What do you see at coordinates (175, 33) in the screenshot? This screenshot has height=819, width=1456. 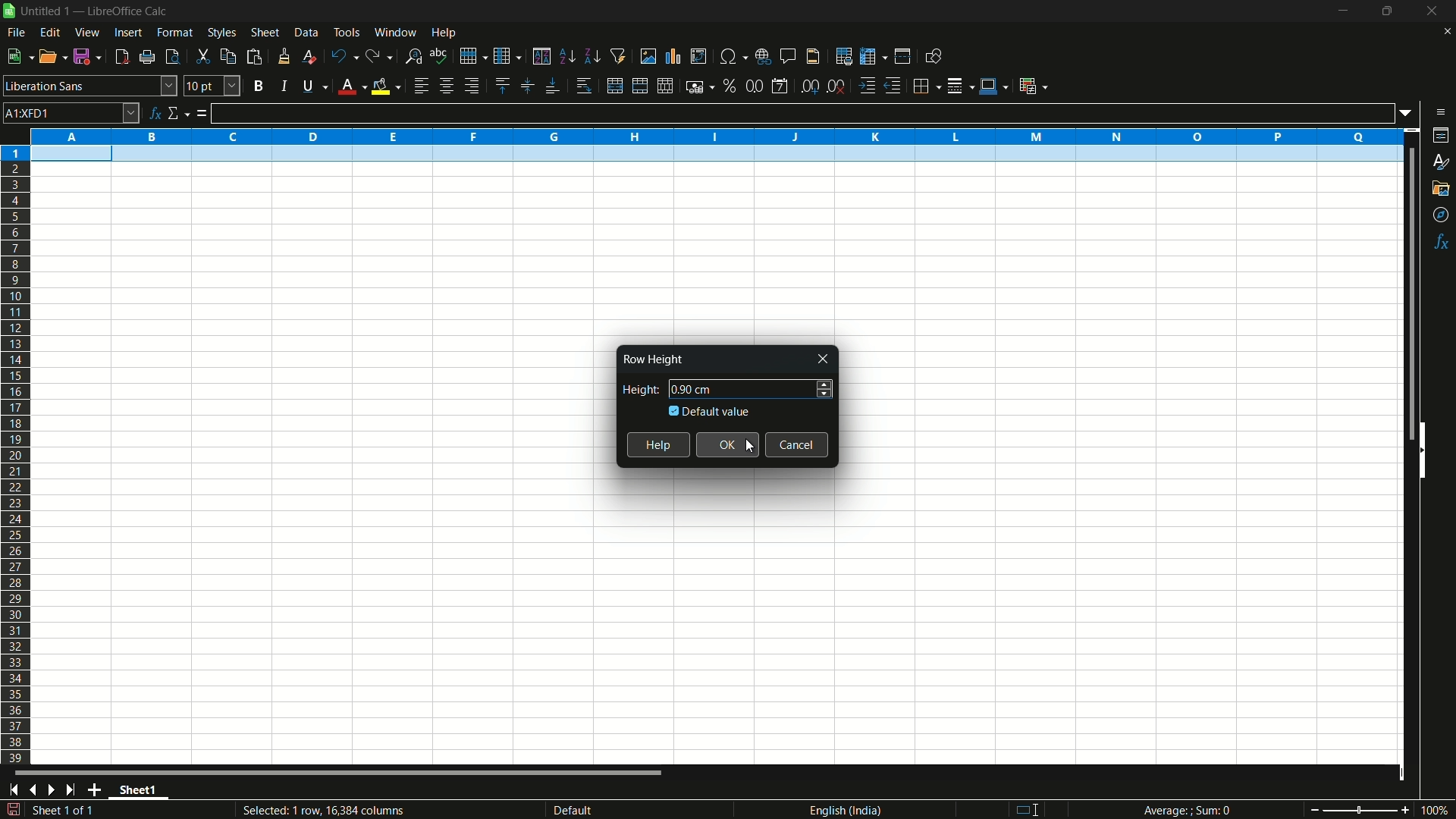 I see `format menu` at bounding box center [175, 33].